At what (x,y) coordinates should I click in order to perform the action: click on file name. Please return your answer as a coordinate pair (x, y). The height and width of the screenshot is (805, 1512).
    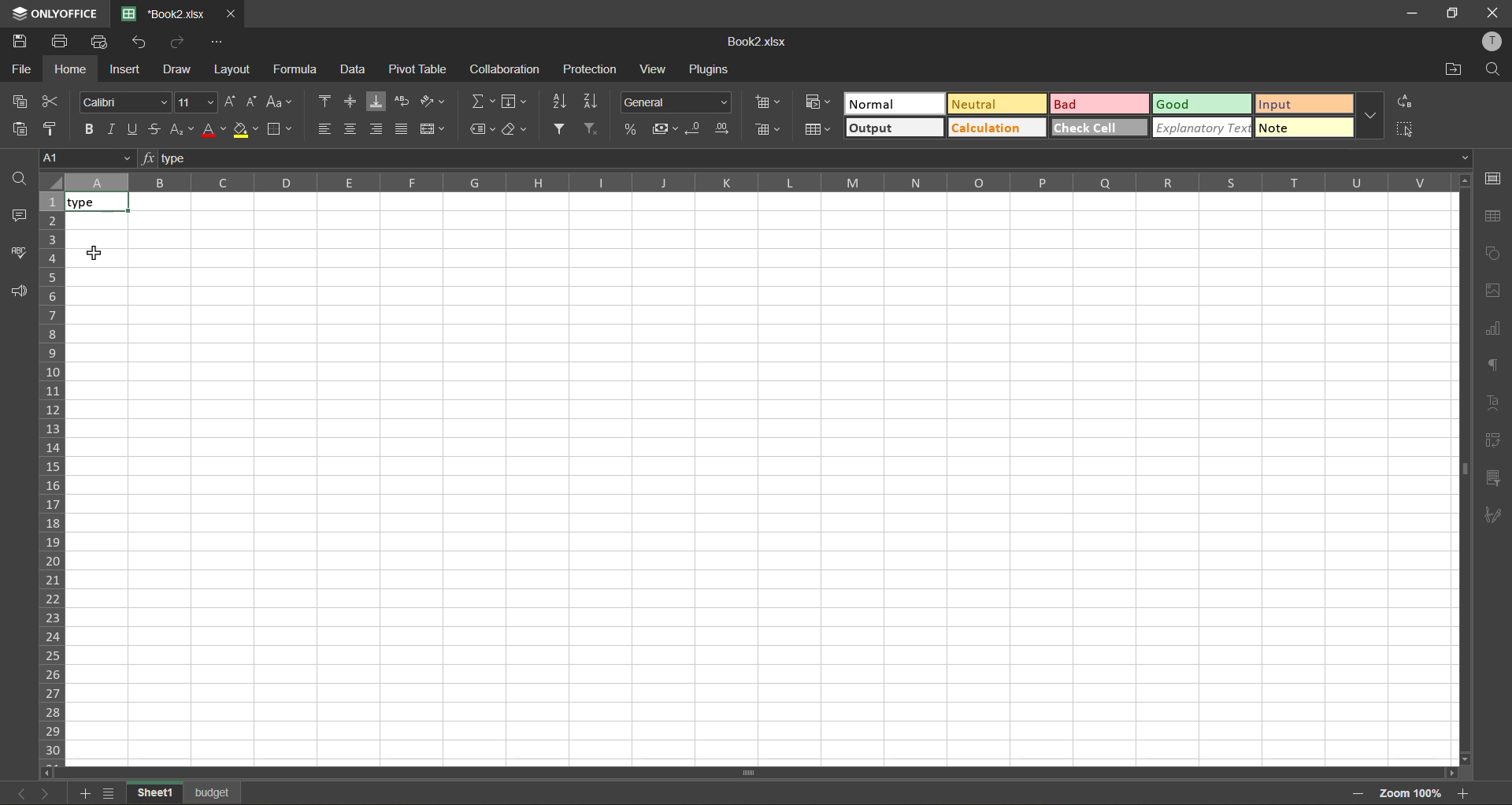
    Looking at the image, I should click on (169, 14).